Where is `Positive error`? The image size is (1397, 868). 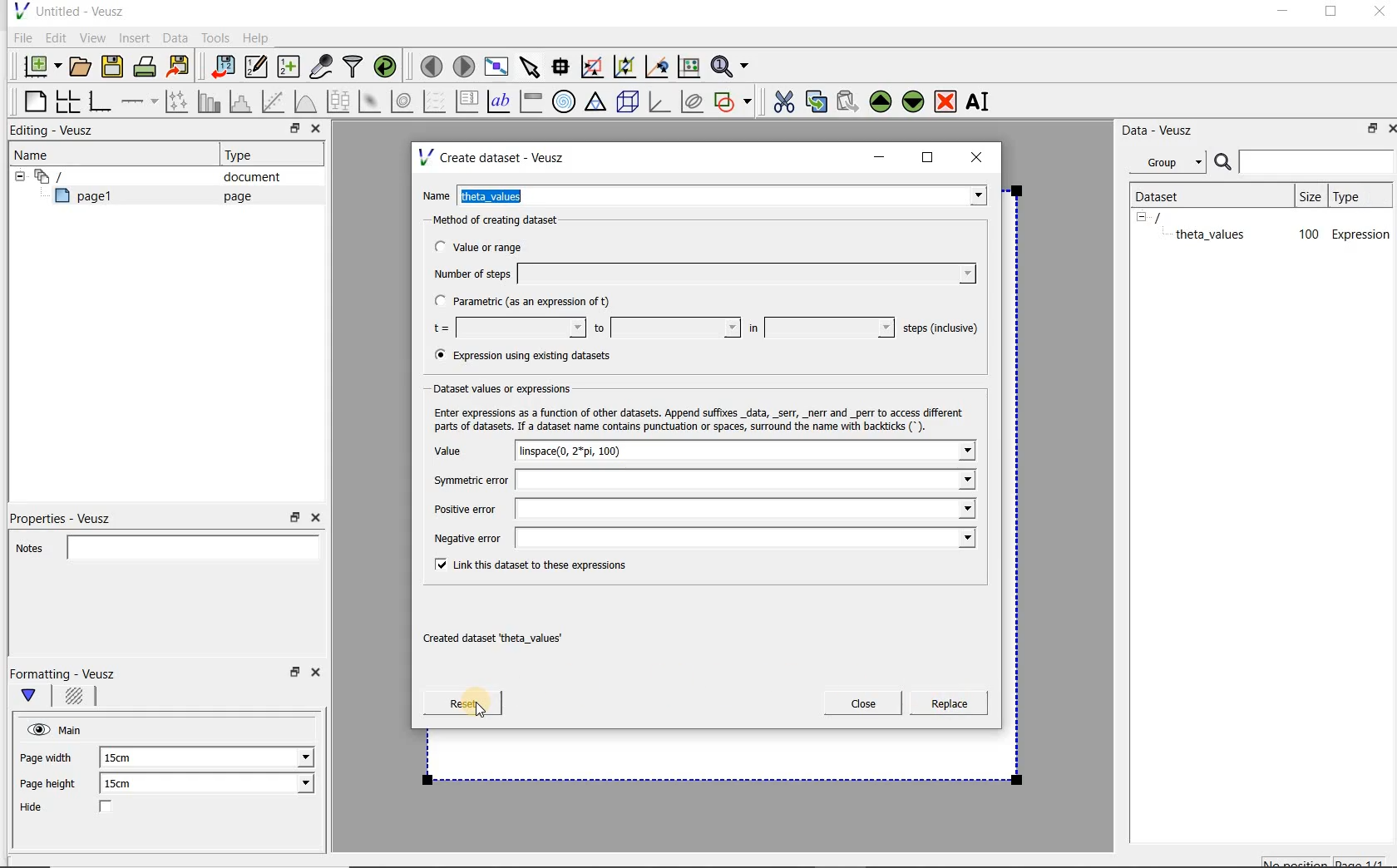 Positive error is located at coordinates (698, 509).